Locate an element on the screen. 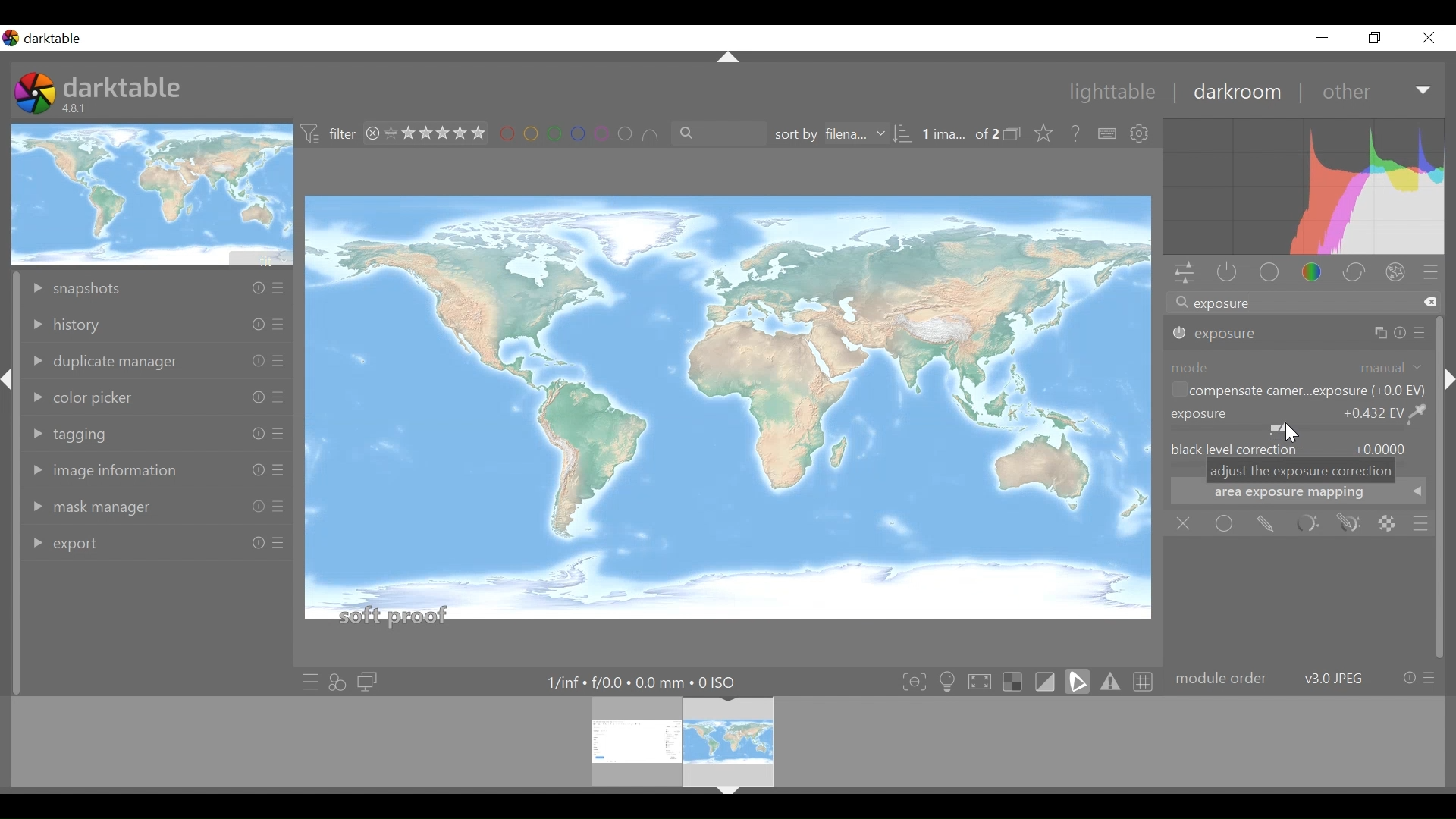 Image resolution: width=1456 pixels, height=819 pixels. Close is located at coordinates (1429, 37).